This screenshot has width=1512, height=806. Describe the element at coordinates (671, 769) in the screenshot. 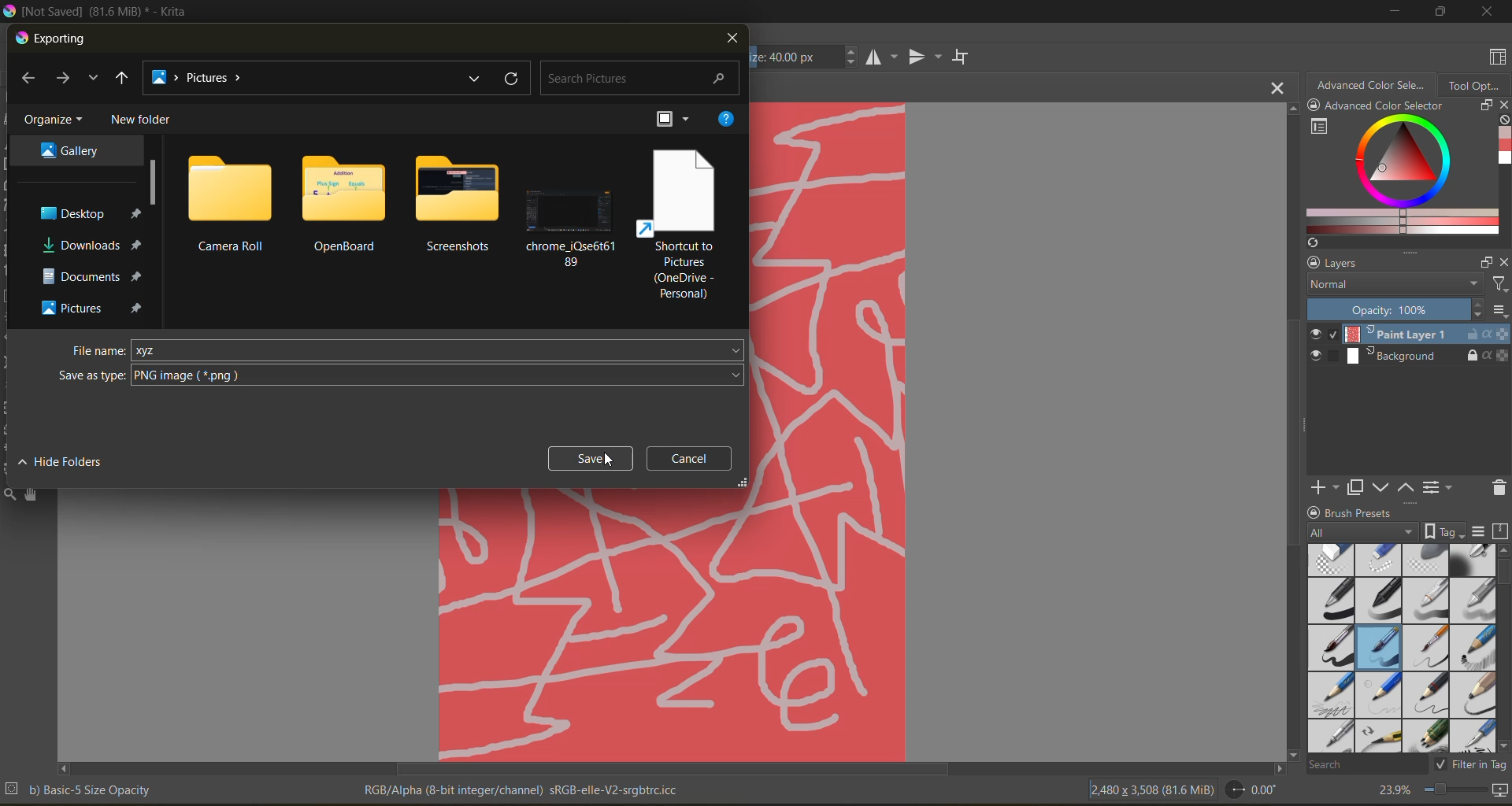

I see `horizontal scroll bar` at that location.